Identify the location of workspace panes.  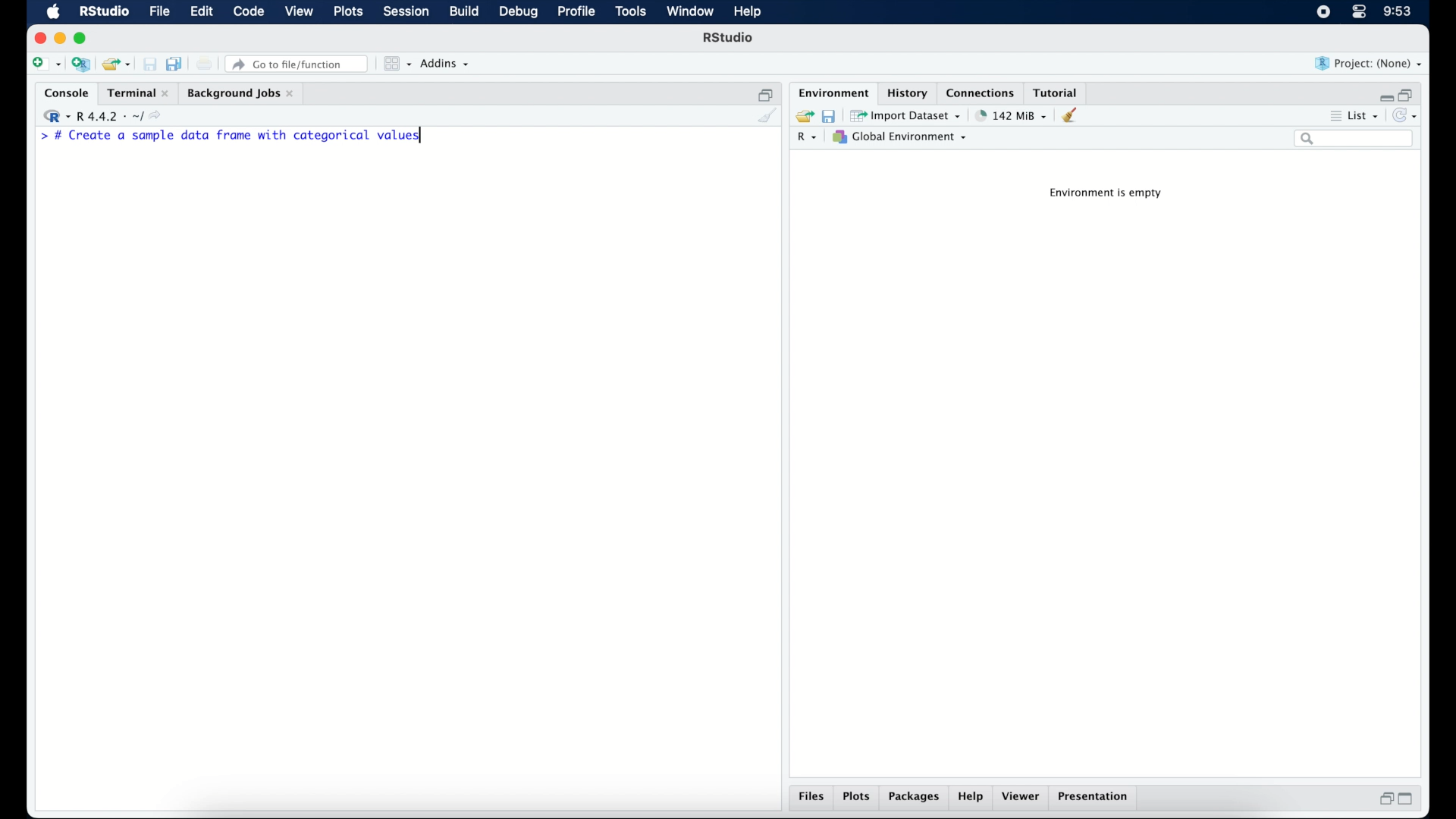
(397, 64).